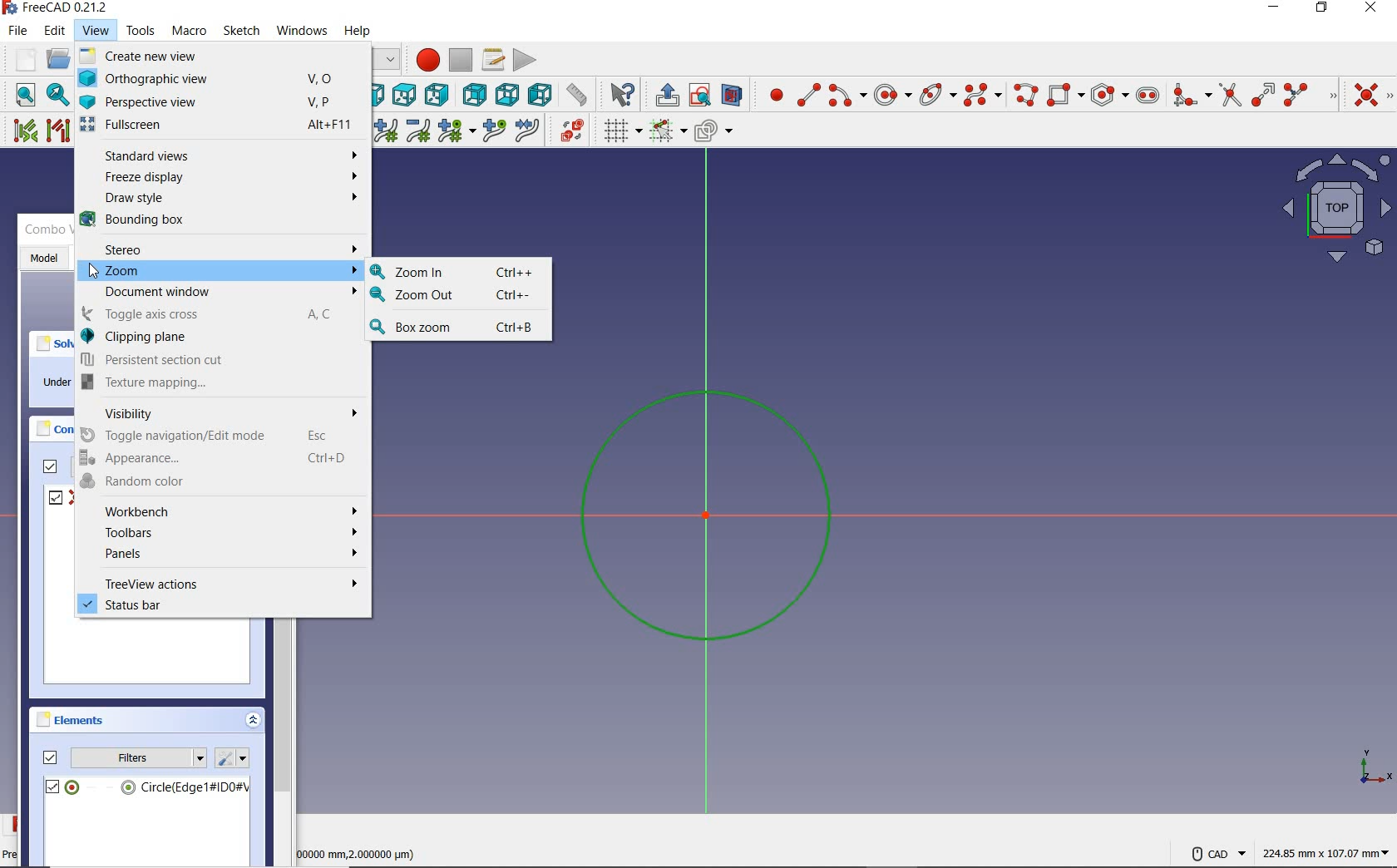 This screenshot has width=1397, height=868. What do you see at coordinates (43, 259) in the screenshot?
I see `model` at bounding box center [43, 259].